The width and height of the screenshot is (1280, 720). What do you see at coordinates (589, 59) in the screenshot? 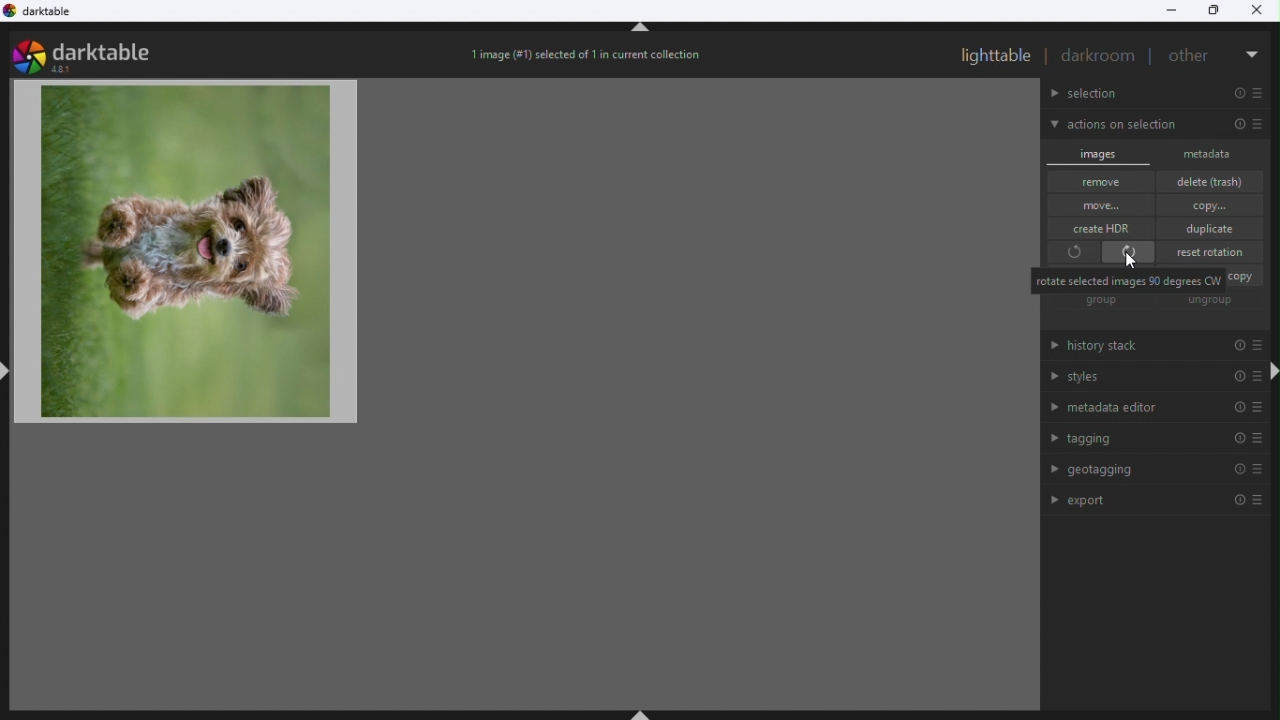
I see `Image selection status` at bounding box center [589, 59].